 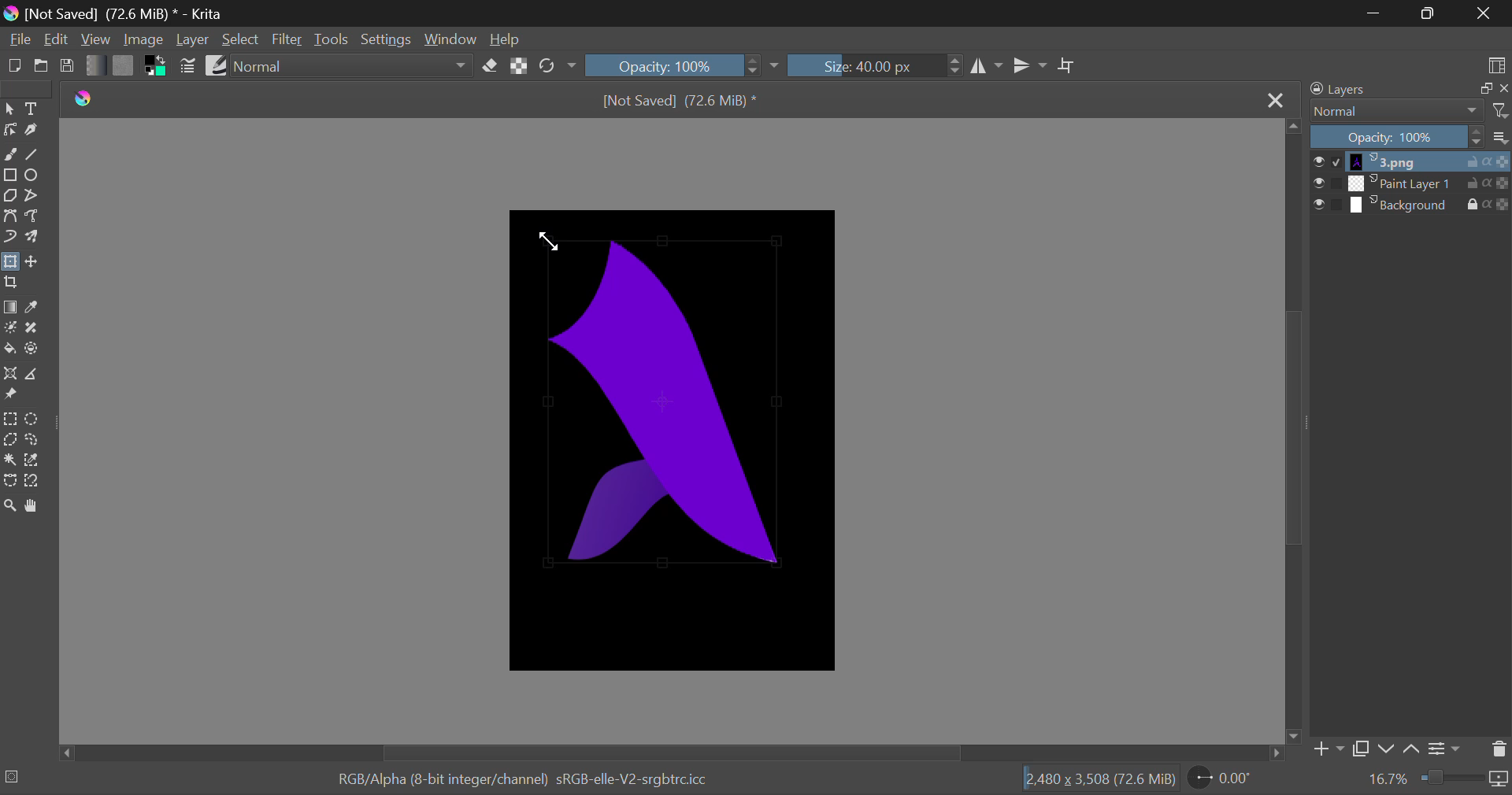 What do you see at coordinates (674, 67) in the screenshot?
I see `Opacity` at bounding box center [674, 67].